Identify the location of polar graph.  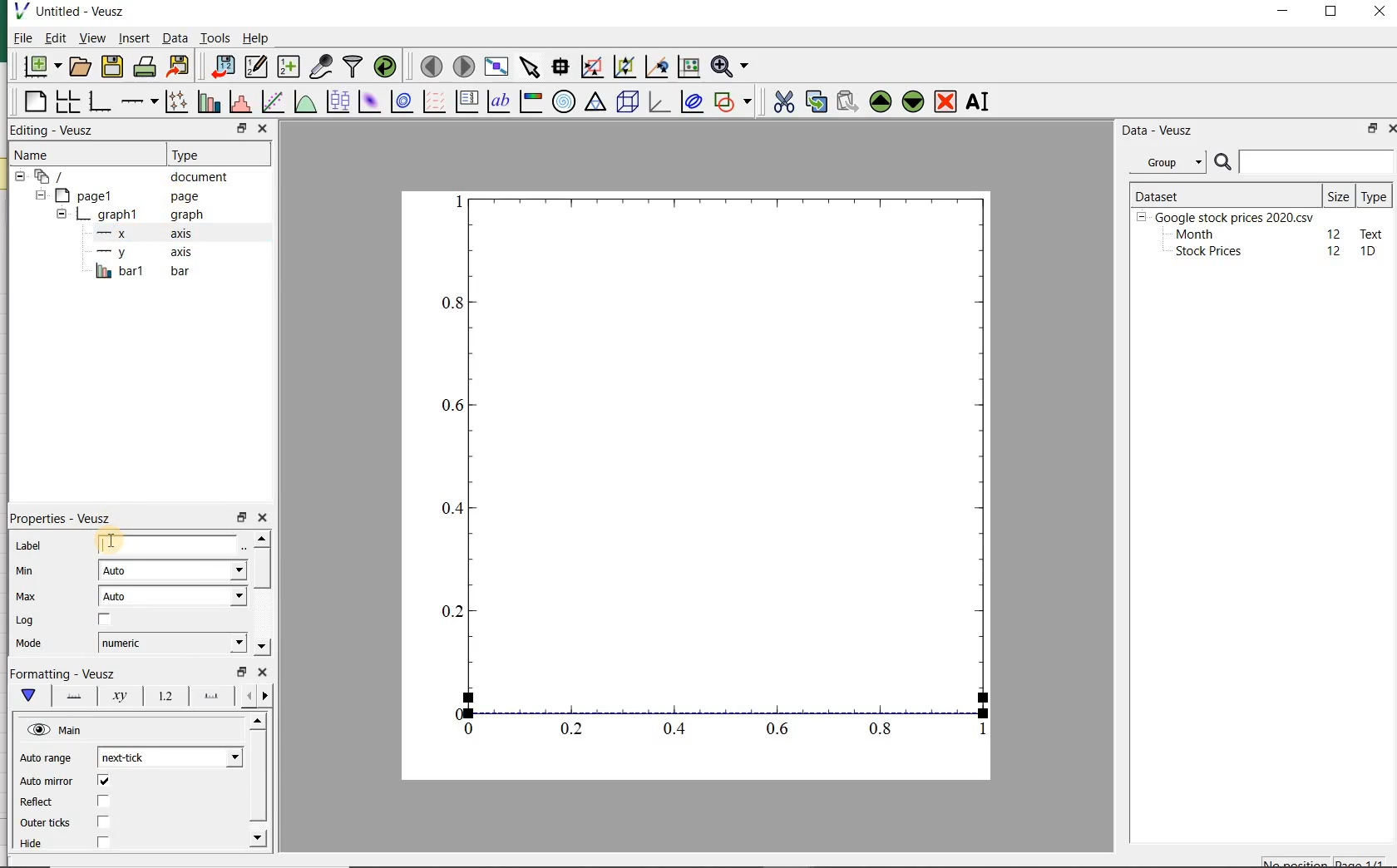
(563, 101).